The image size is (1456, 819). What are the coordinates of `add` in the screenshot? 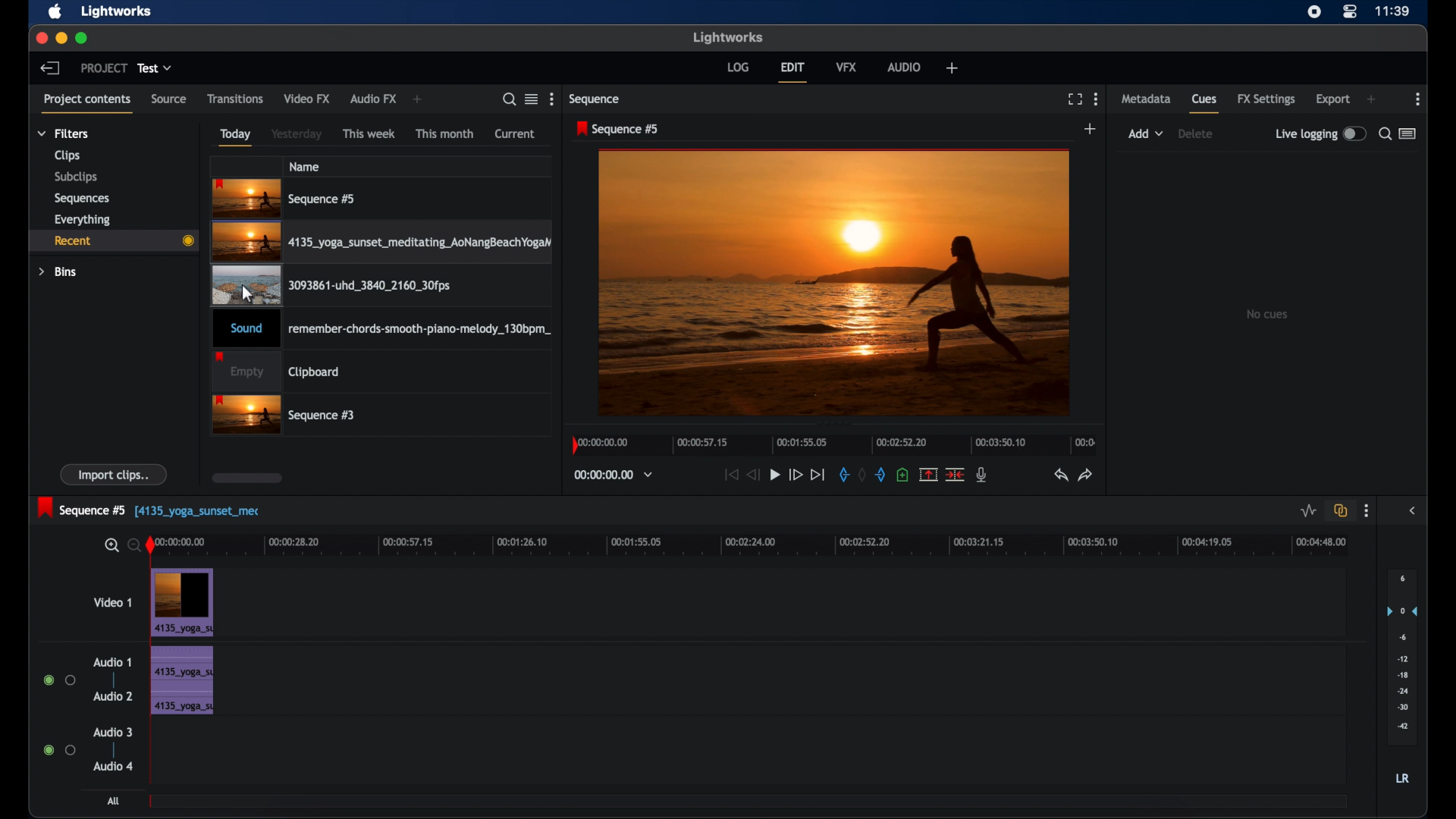 It's located at (952, 67).